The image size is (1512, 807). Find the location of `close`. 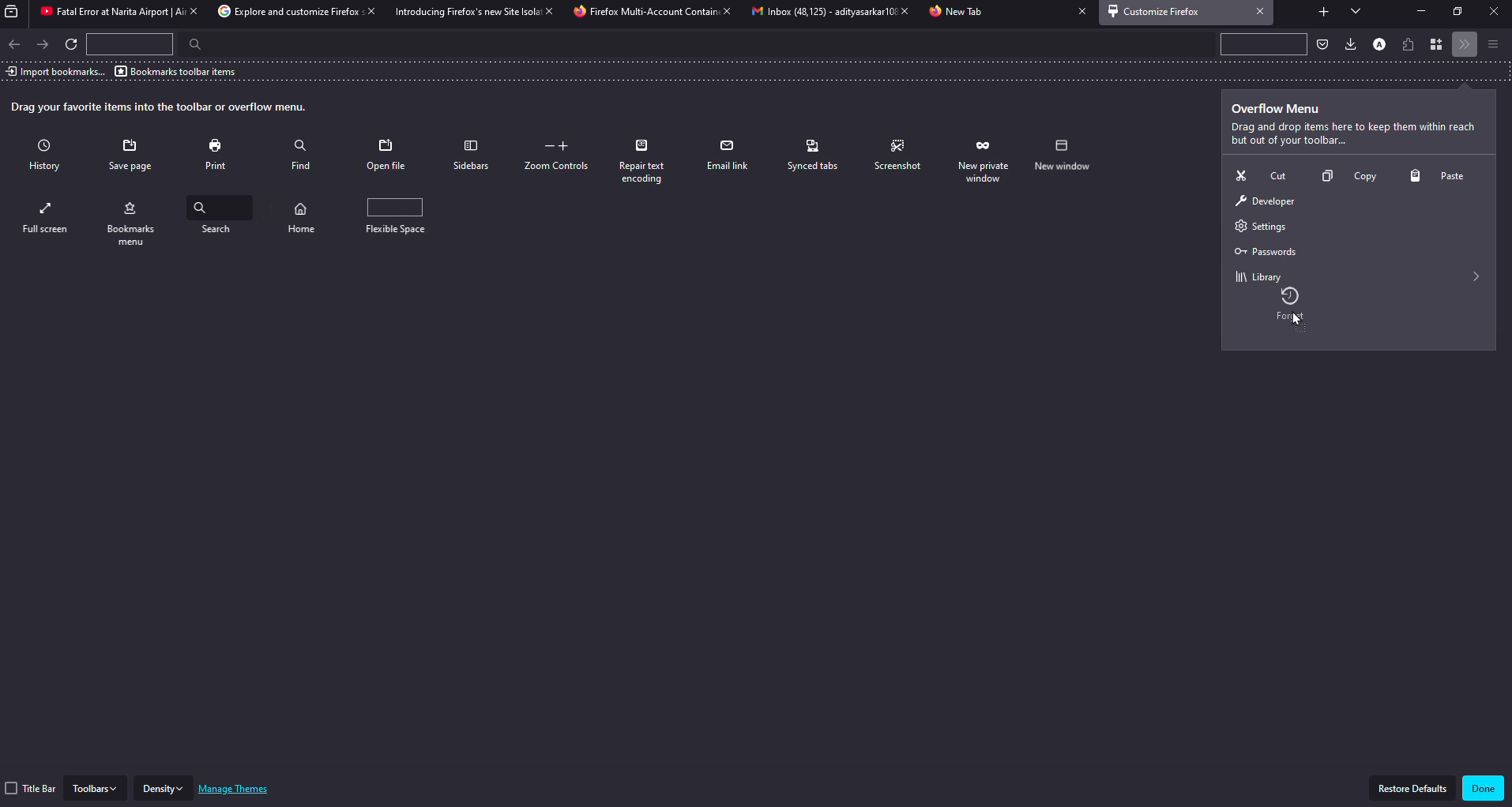

close is located at coordinates (367, 12).